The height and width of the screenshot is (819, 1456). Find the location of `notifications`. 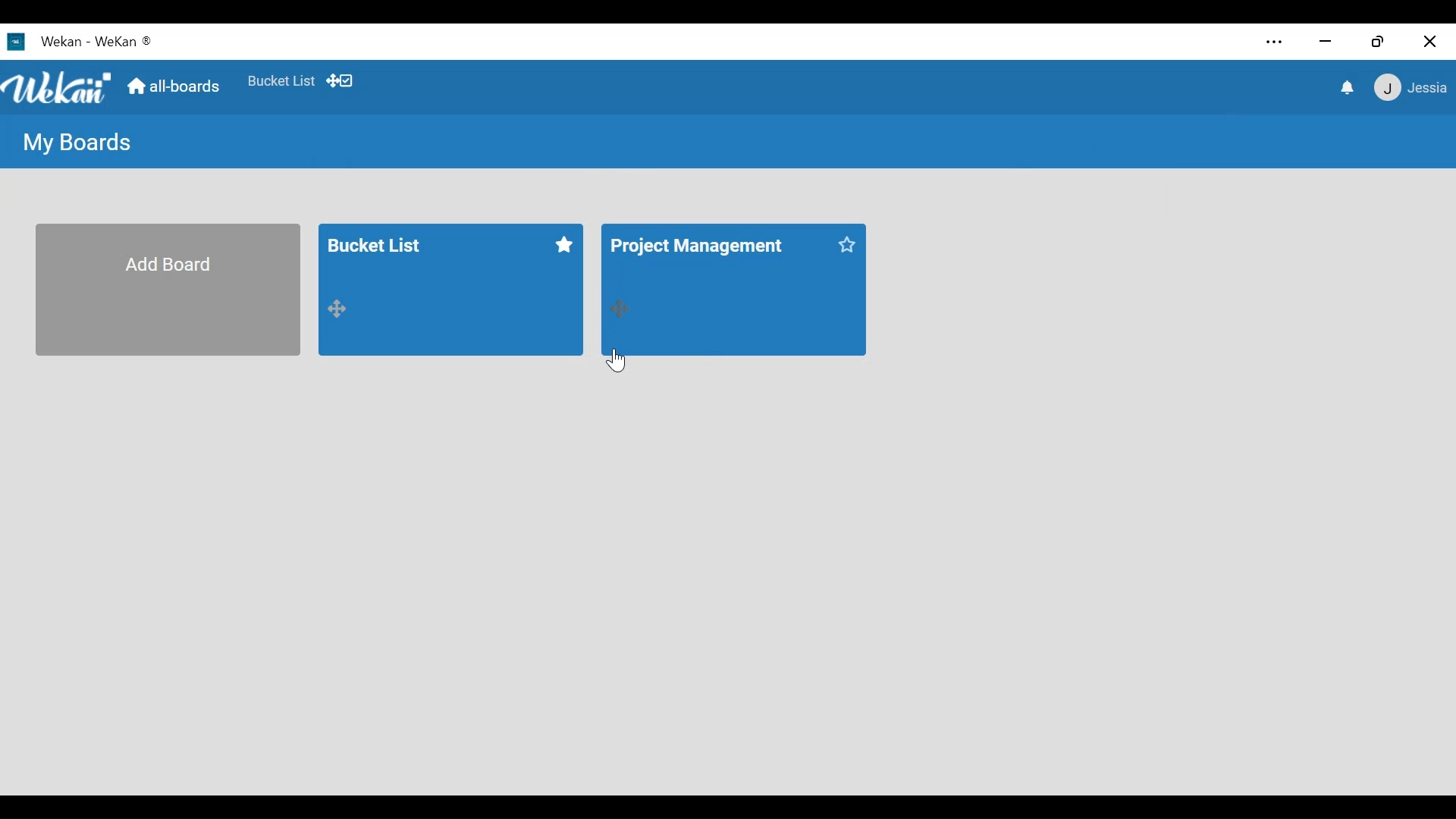

notifications is located at coordinates (1345, 89).